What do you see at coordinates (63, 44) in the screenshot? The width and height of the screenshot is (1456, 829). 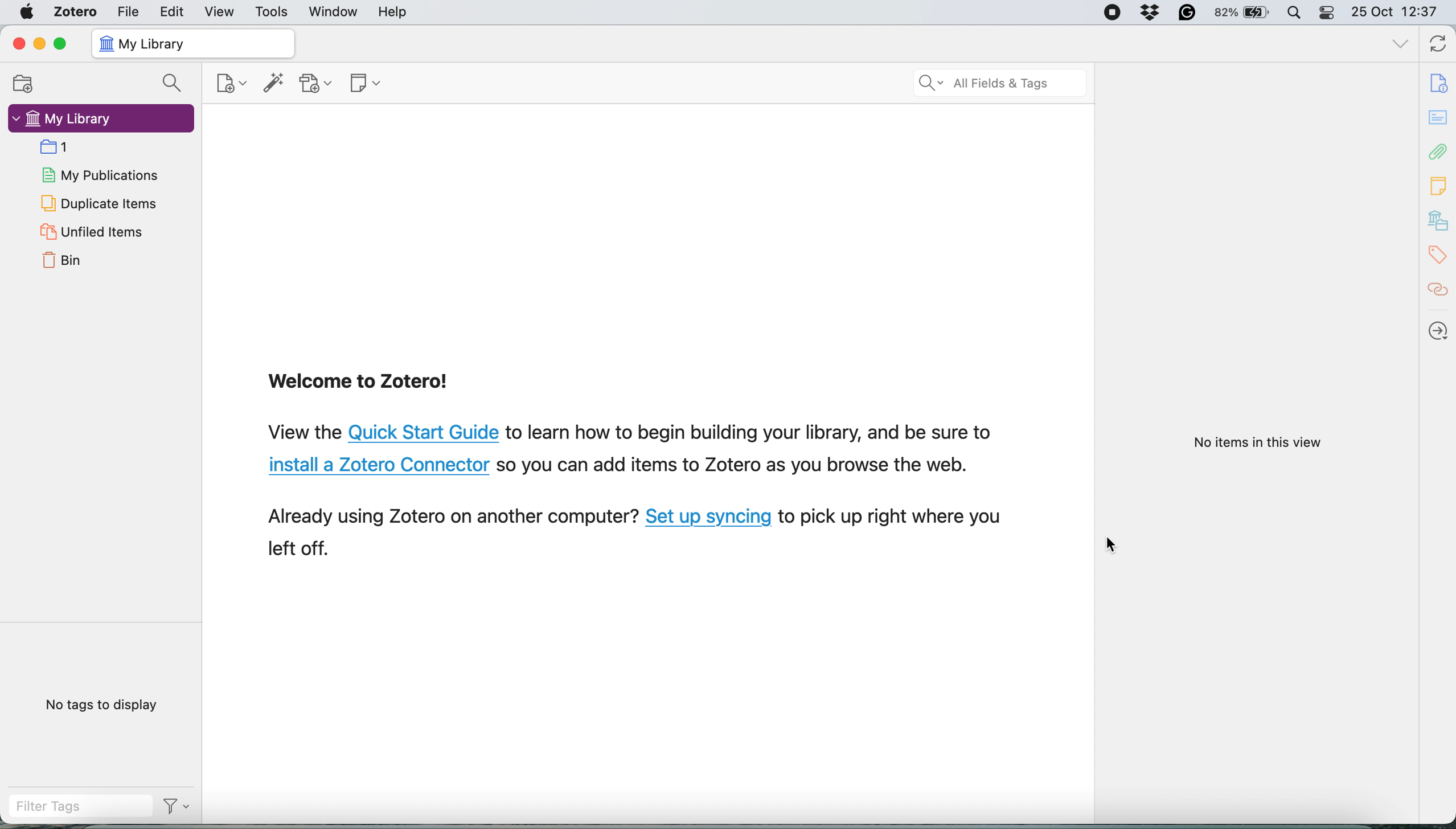 I see `maximise` at bounding box center [63, 44].